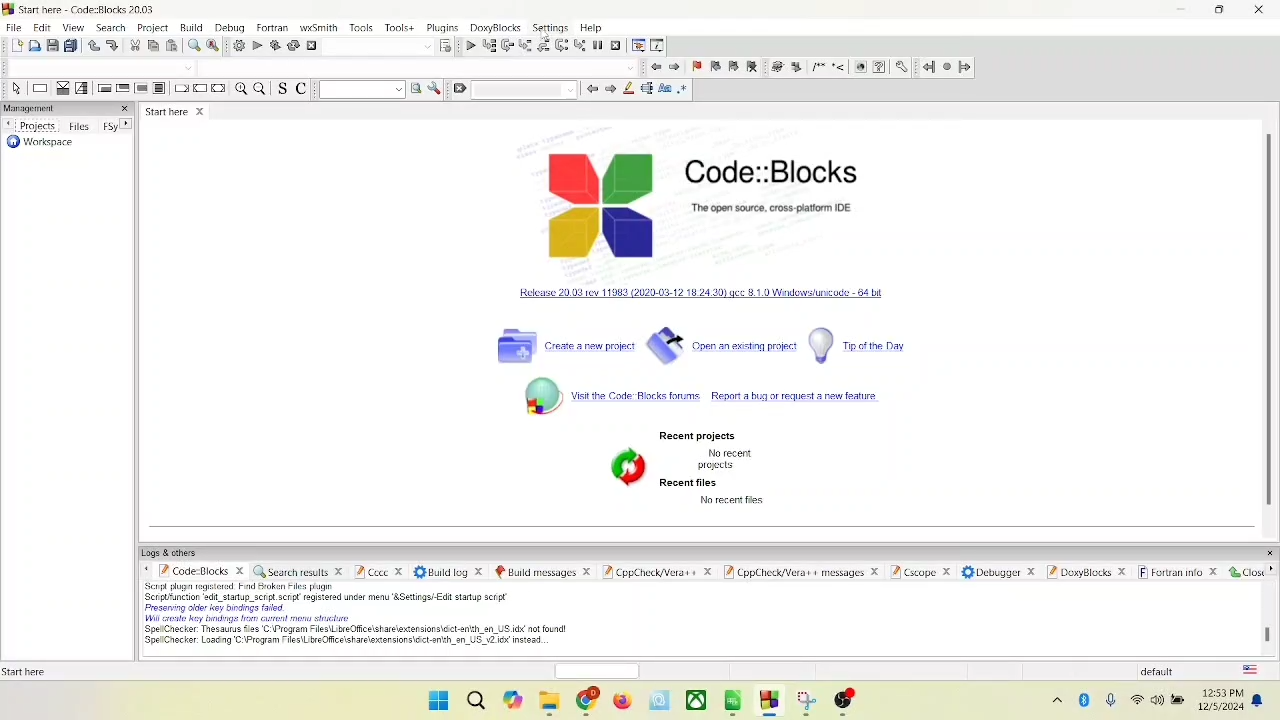 This screenshot has width=1280, height=720. What do you see at coordinates (900, 66) in the screenshot?
I see `settings` at bounding box center [900, 66].